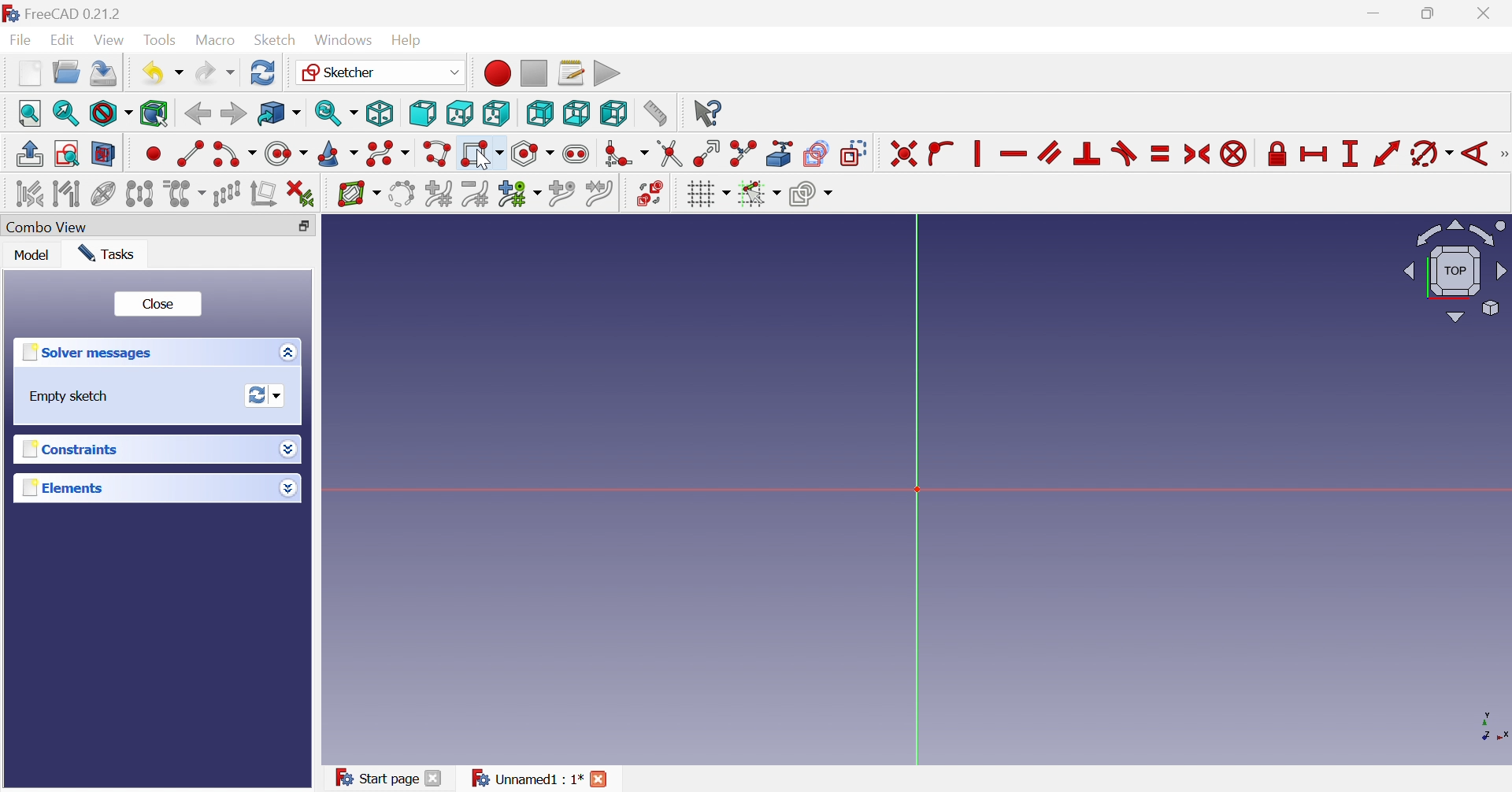 This screenshot has height=792, width=1512. Describe the element at coordinates (284, 353) in the screenshot. I see `Options` at that location.